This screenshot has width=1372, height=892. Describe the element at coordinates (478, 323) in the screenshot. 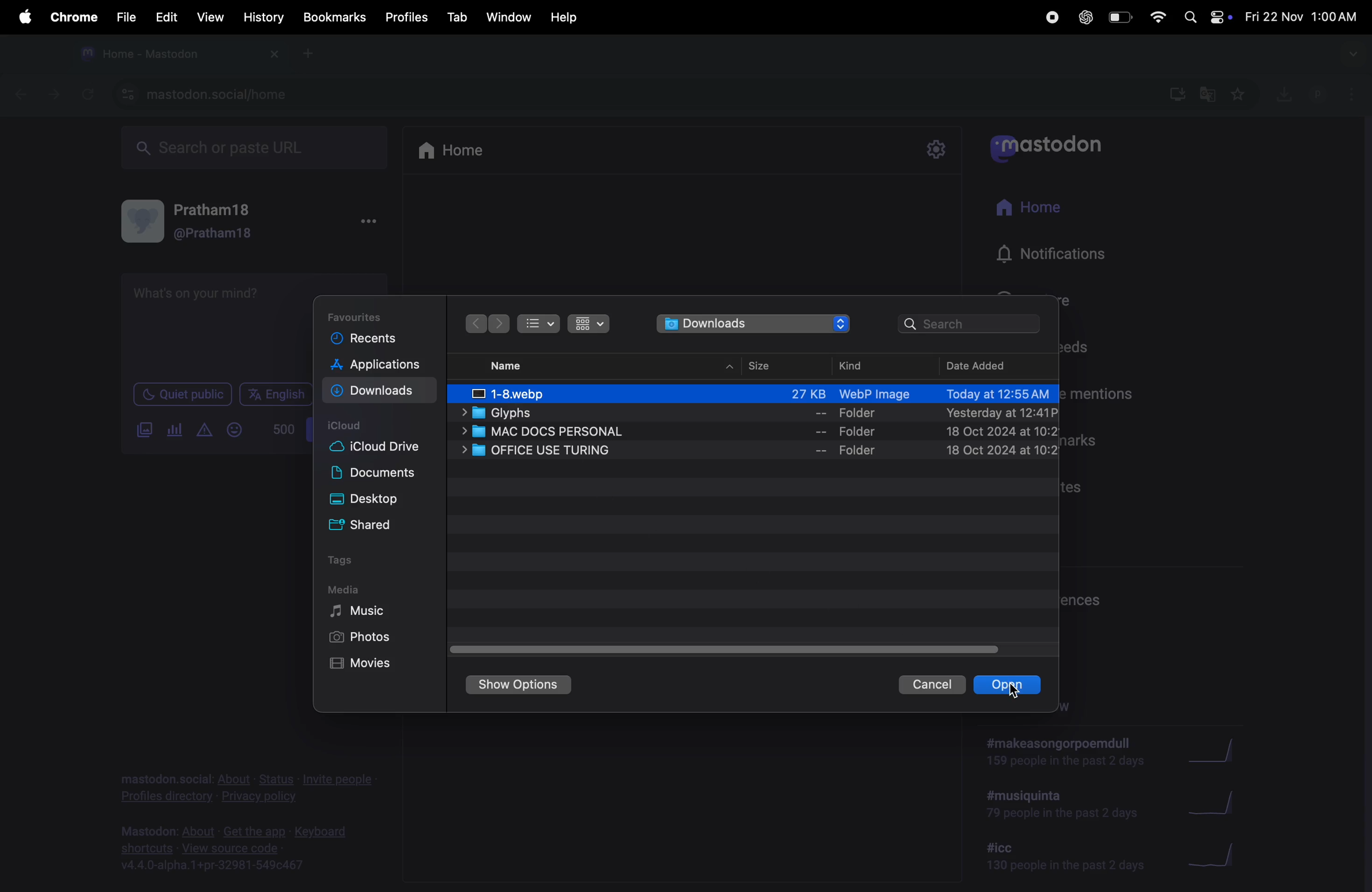

I see `forward` at that location.